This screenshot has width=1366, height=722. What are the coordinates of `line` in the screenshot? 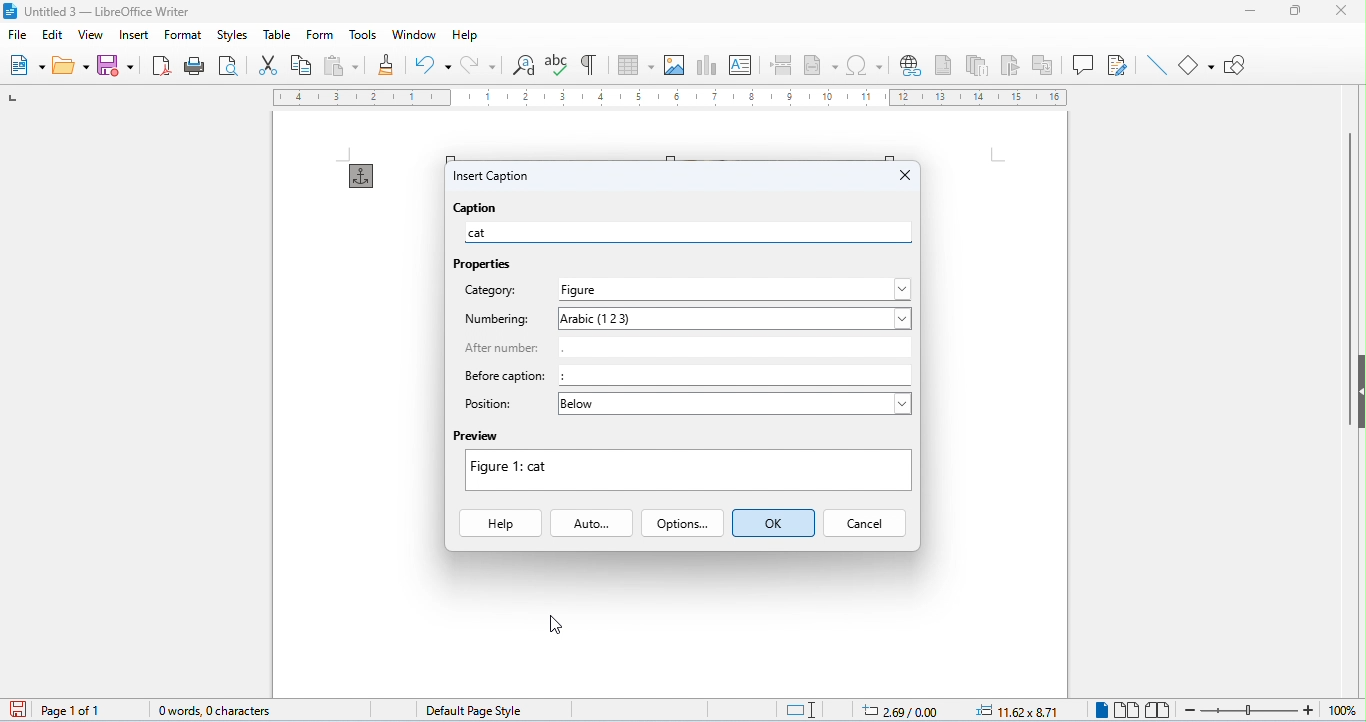 It's located at (1155, 65).